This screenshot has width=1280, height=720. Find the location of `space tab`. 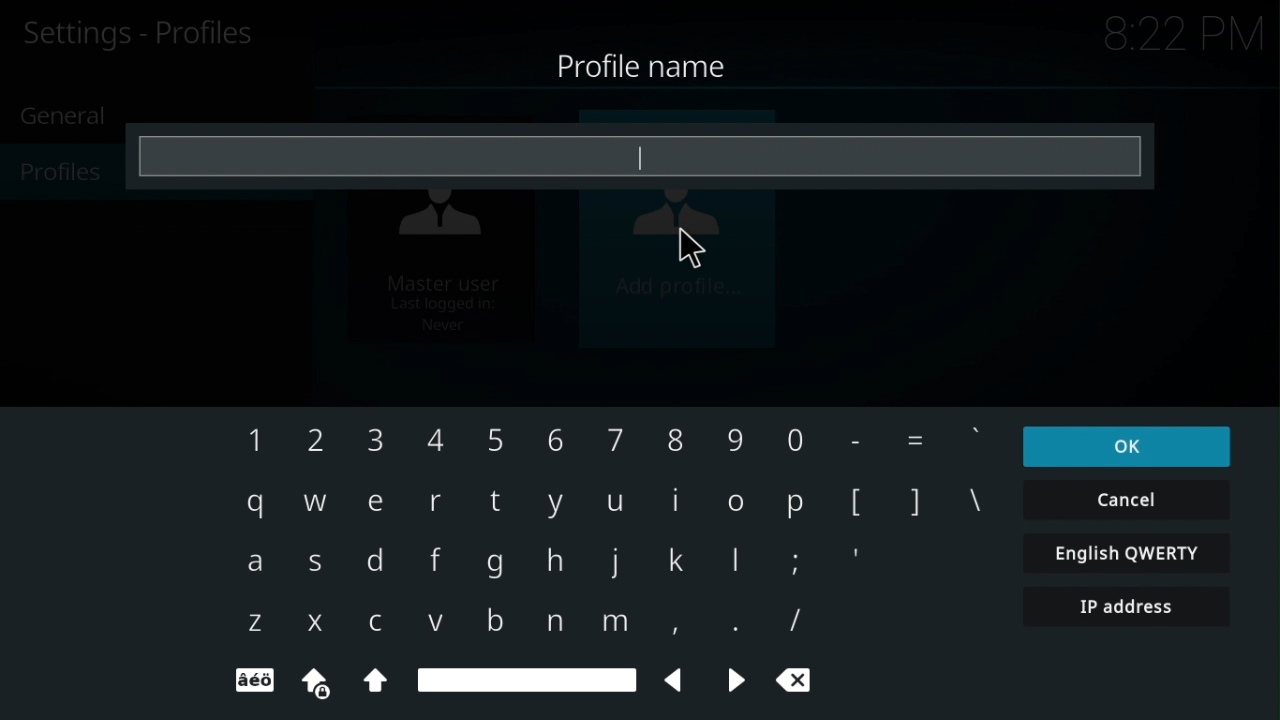

space tab is located at coordinates (527, 681).